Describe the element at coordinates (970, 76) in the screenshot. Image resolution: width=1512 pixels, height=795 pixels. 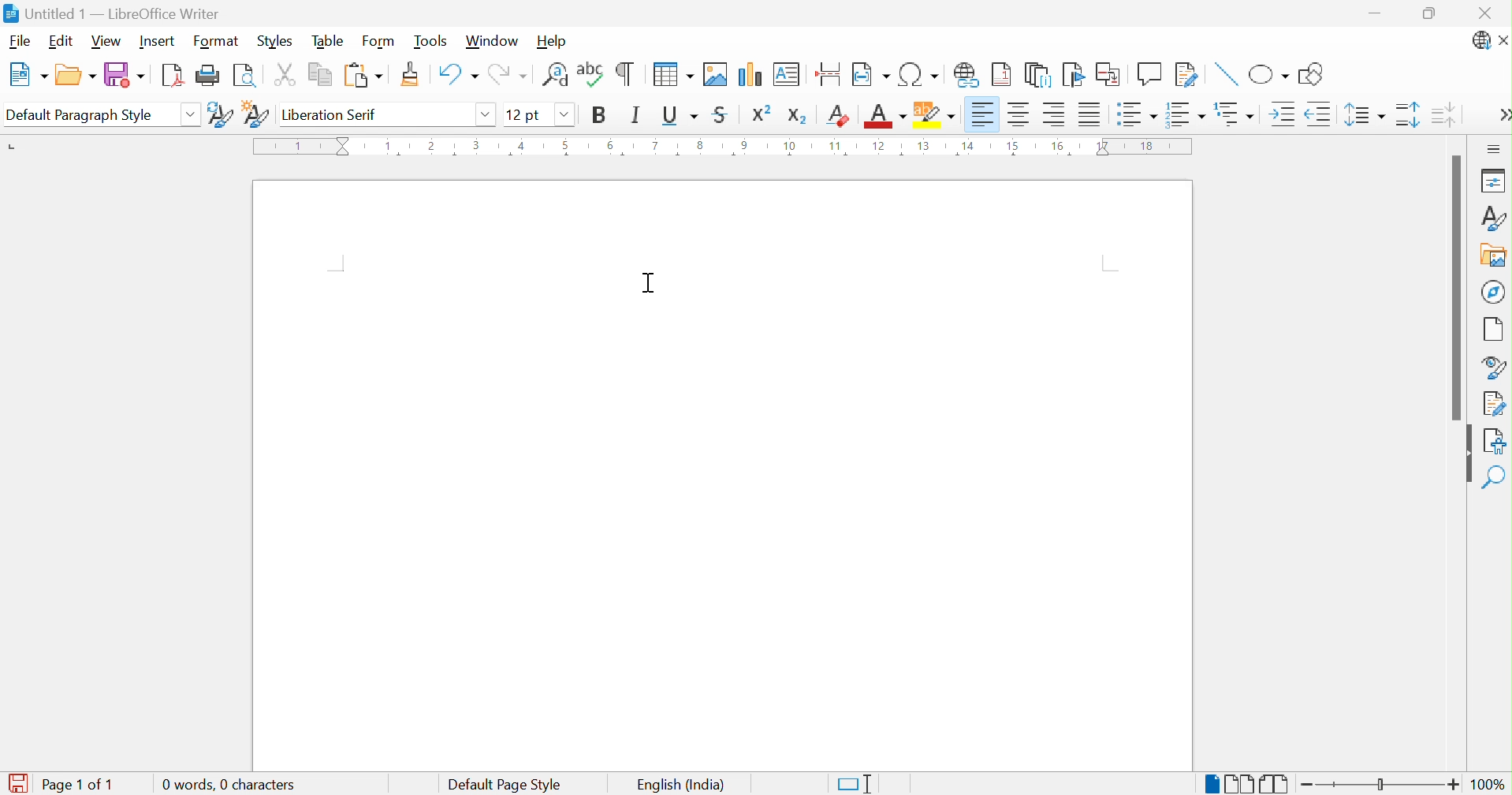
I see `Insert hyperlink` at that location.